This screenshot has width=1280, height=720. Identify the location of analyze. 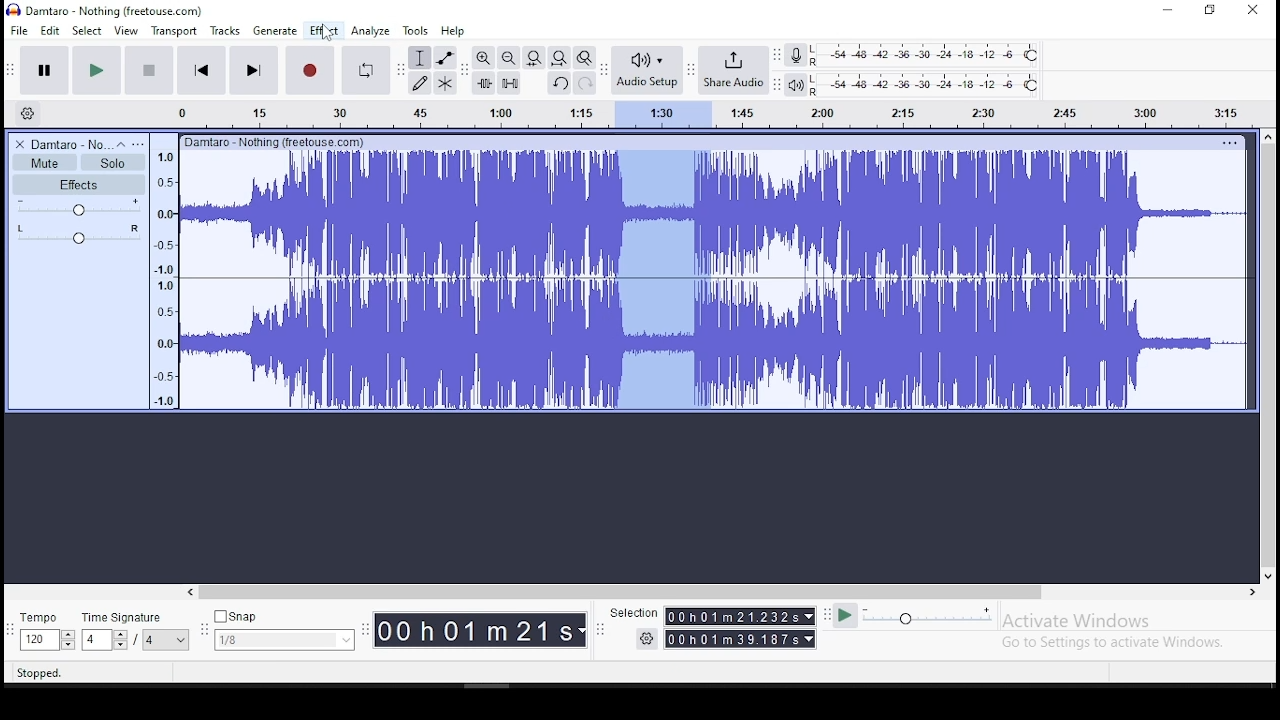
(371, 31).